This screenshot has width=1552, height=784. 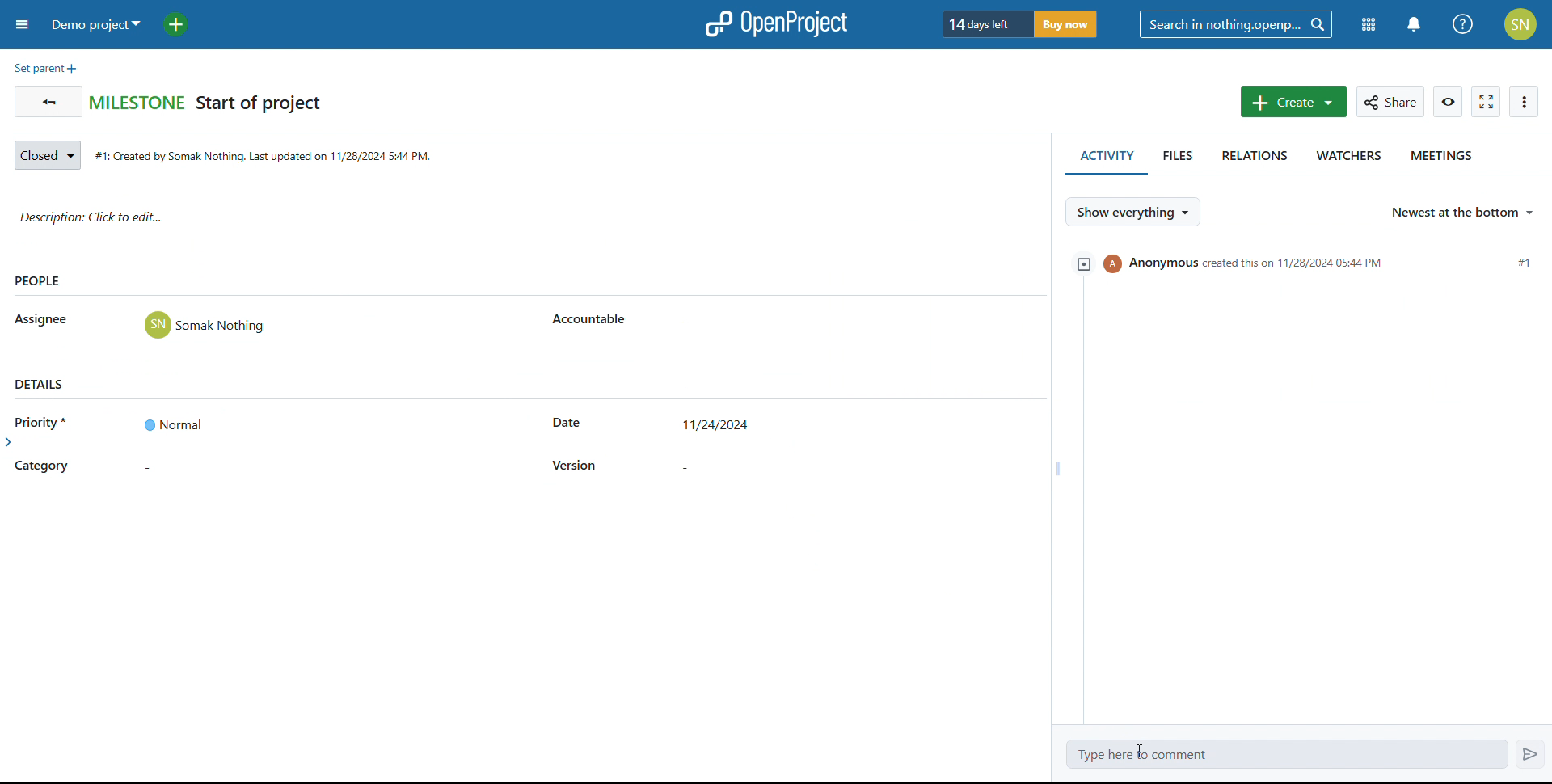 I want to click on event created, so click(x=1321, y=263).